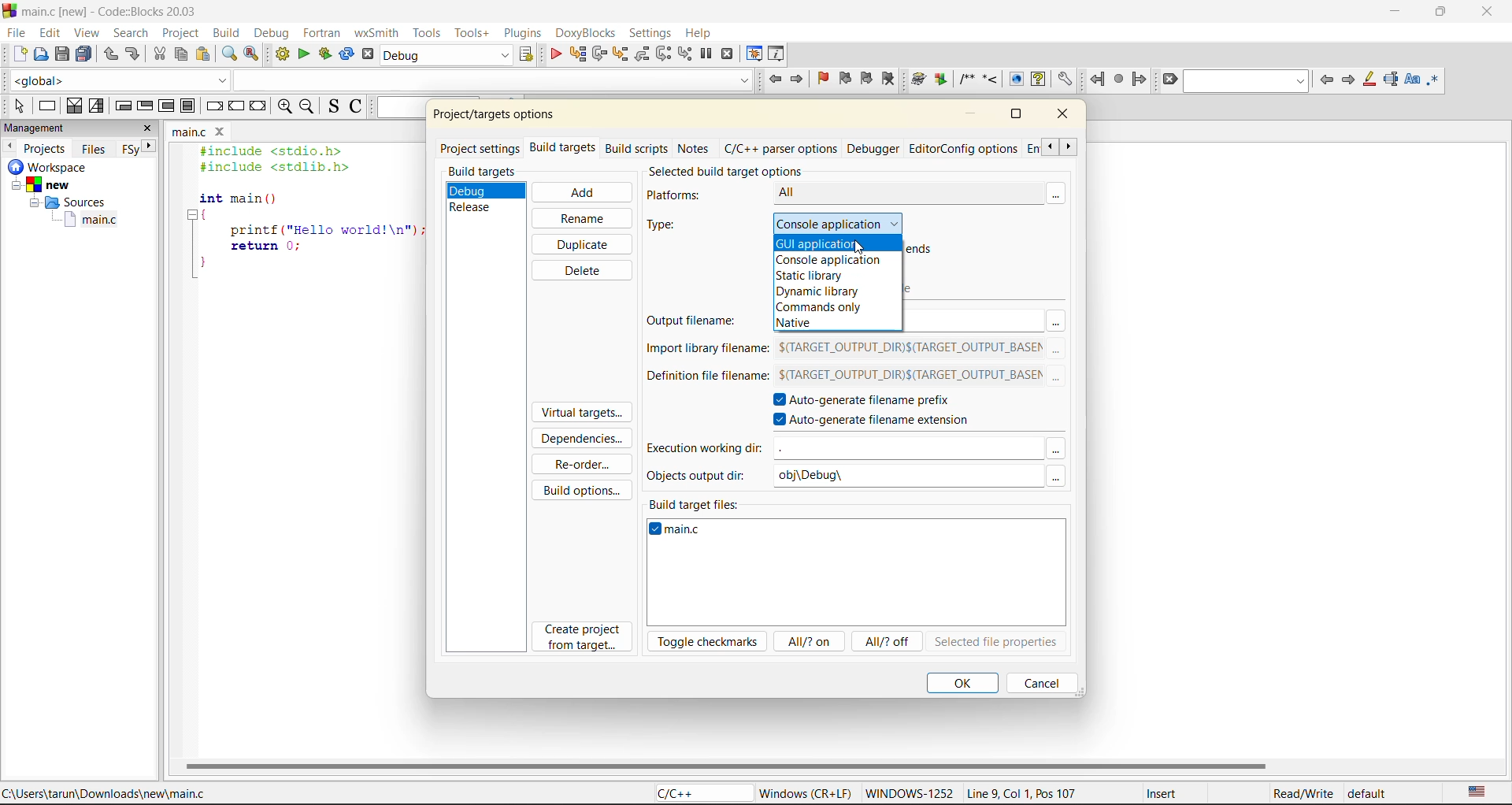 The height and width of the screenshot is (805, 1512). What do you see at coordinates (919, 346) in the screenshot?
I see `$(TARGET_OUTPUT_DIR)$(TARGET_OUTPUT_BASEM` at bounding box center [919, 346].